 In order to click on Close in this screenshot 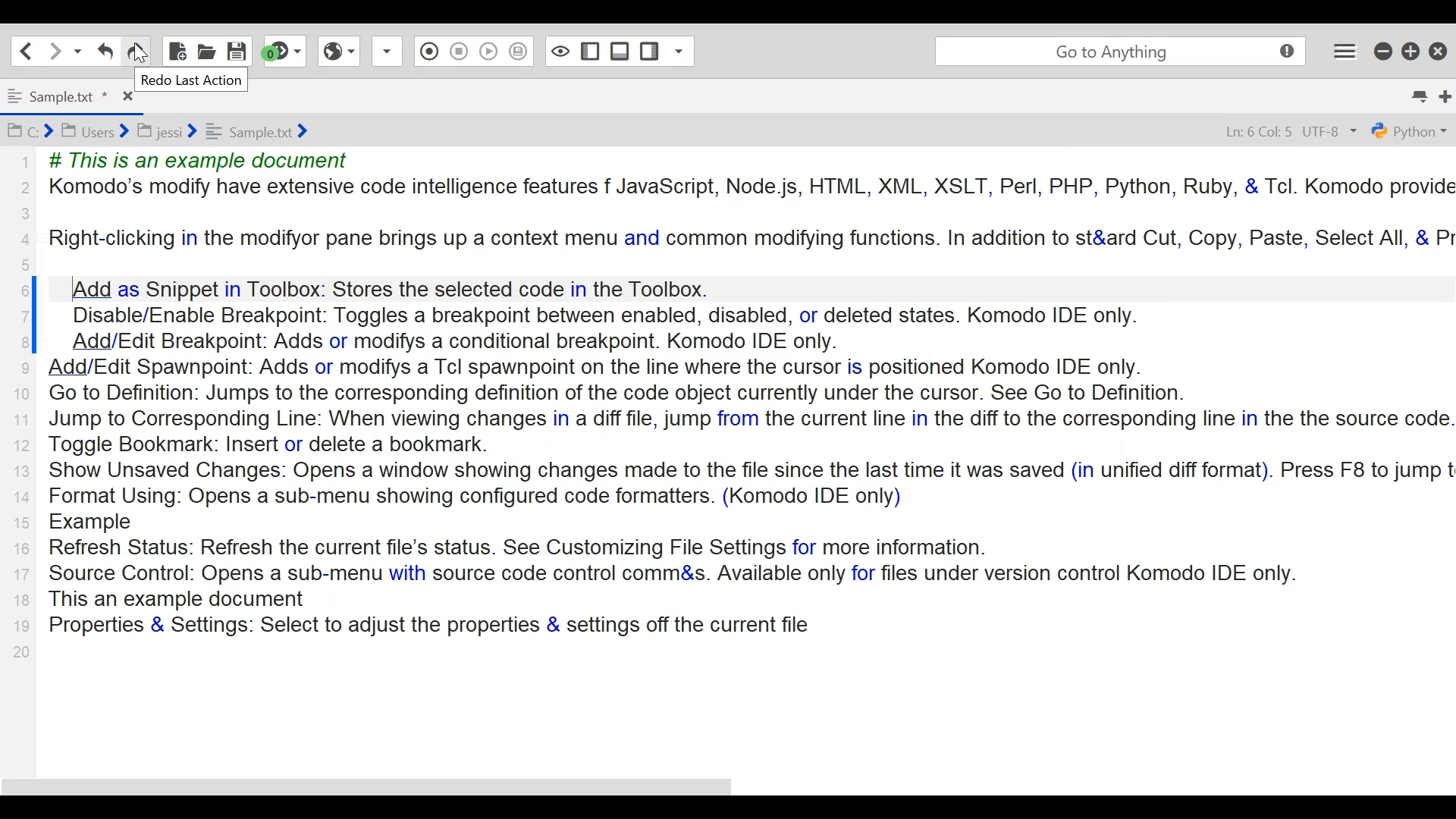, I will do `click(1439, 50)`.